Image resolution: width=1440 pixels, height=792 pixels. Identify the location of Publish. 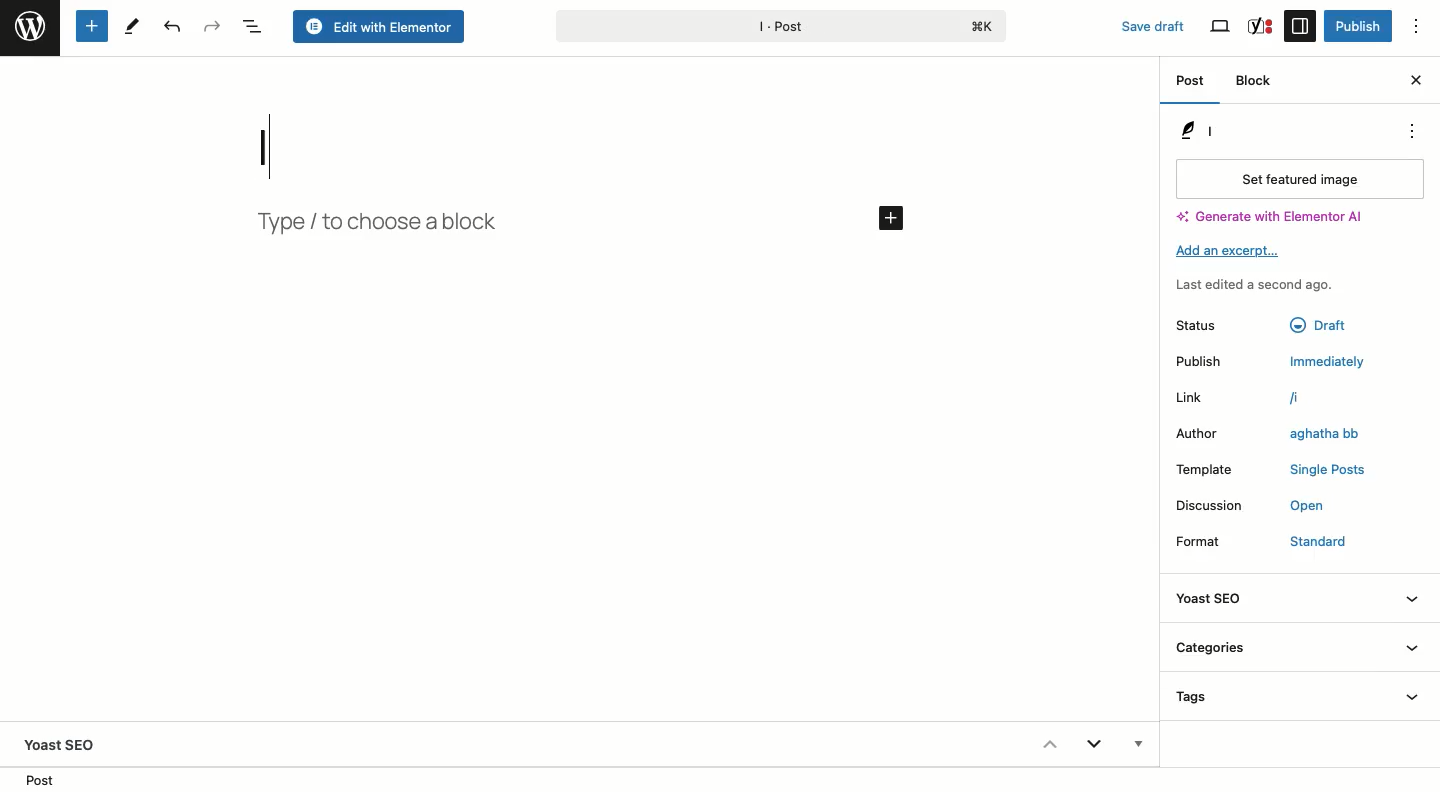
(1205, 361).